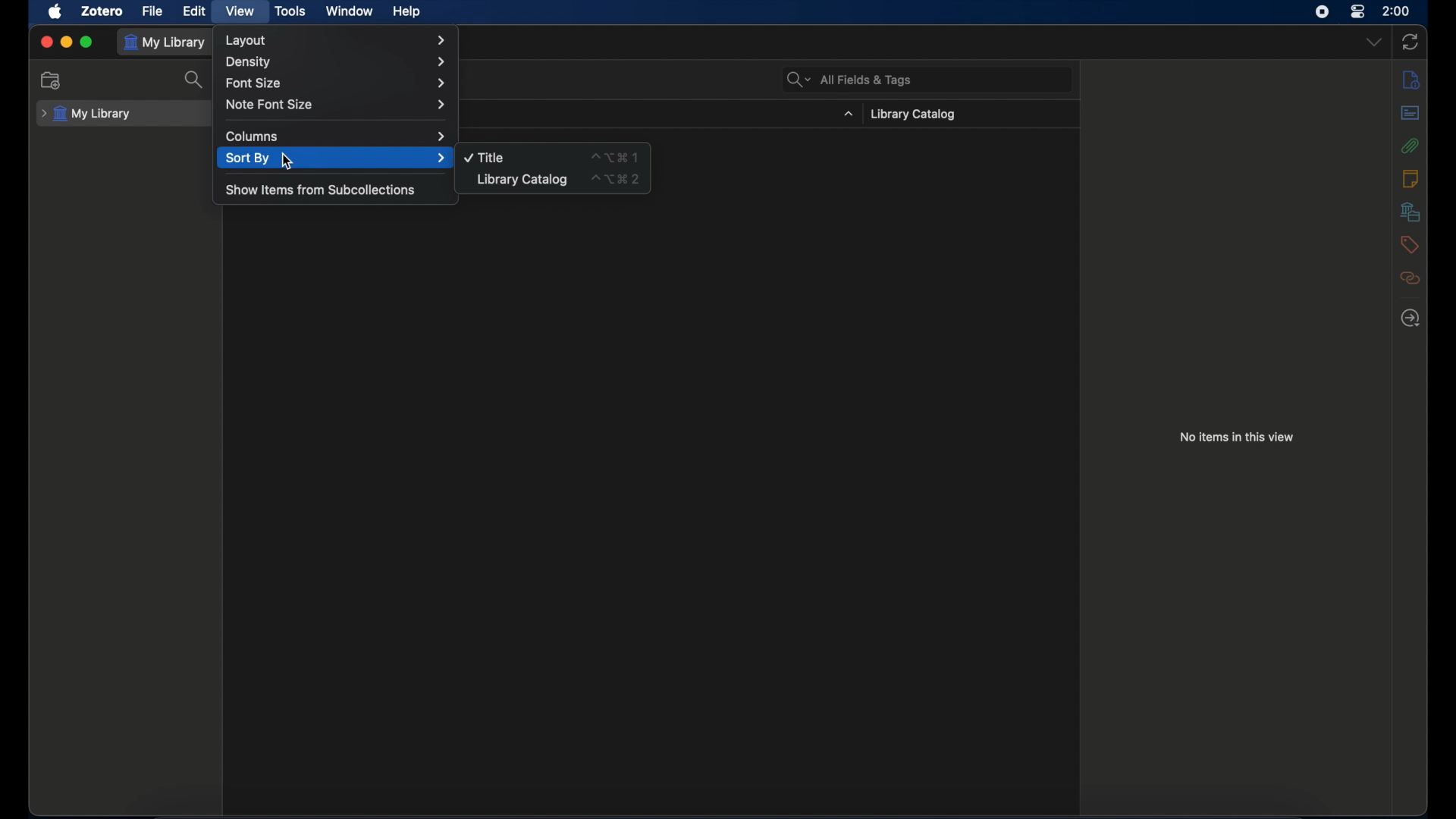  Describe the element at coordinates (335, 158) in the screenshot. I see `sort by` at that location.